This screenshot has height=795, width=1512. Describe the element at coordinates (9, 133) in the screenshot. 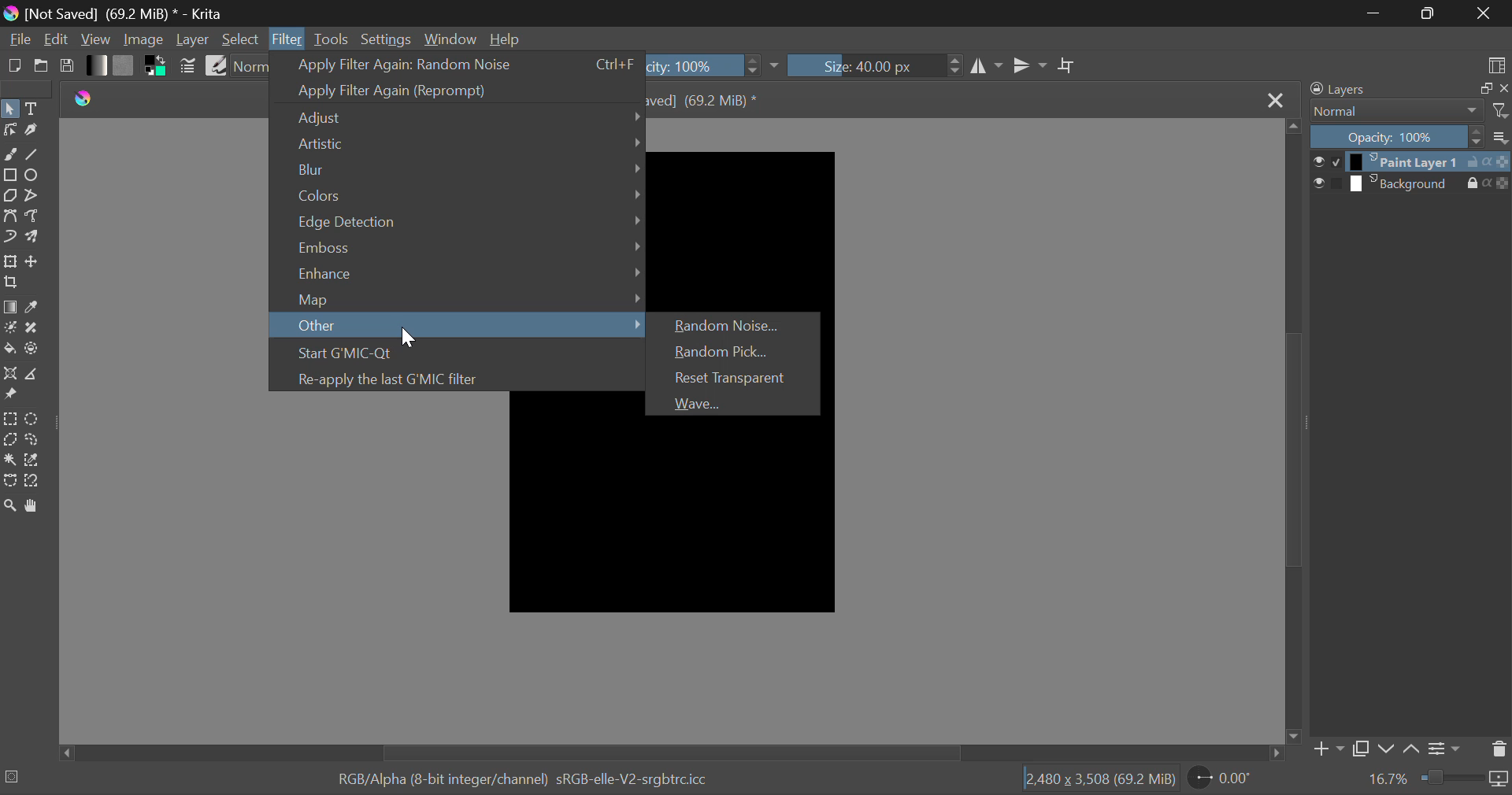

I see `Edit Shapes` at that location.